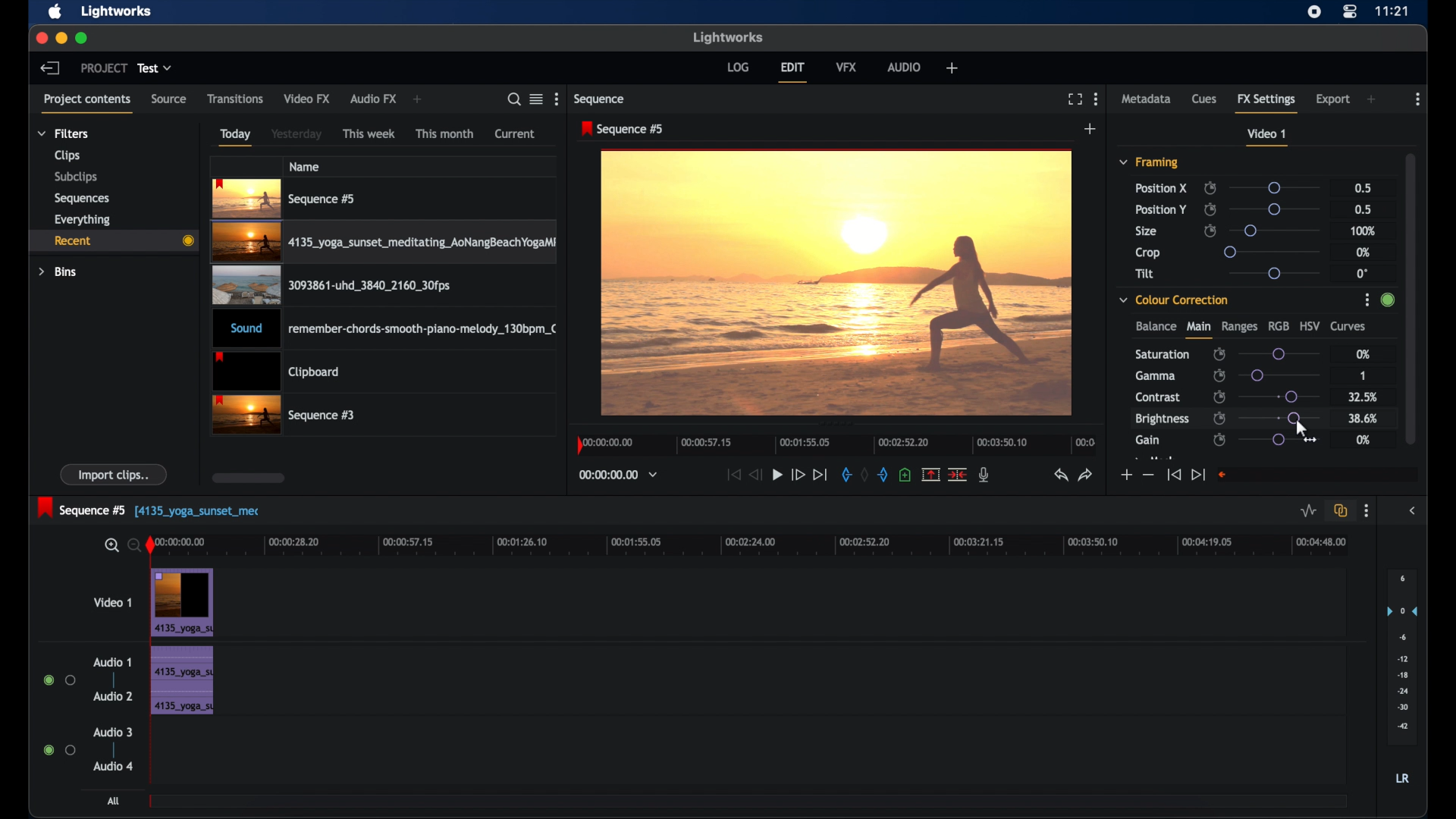  Describe the element at coordinates (118, 546) in the screenshot. I see `zoom` at that location.